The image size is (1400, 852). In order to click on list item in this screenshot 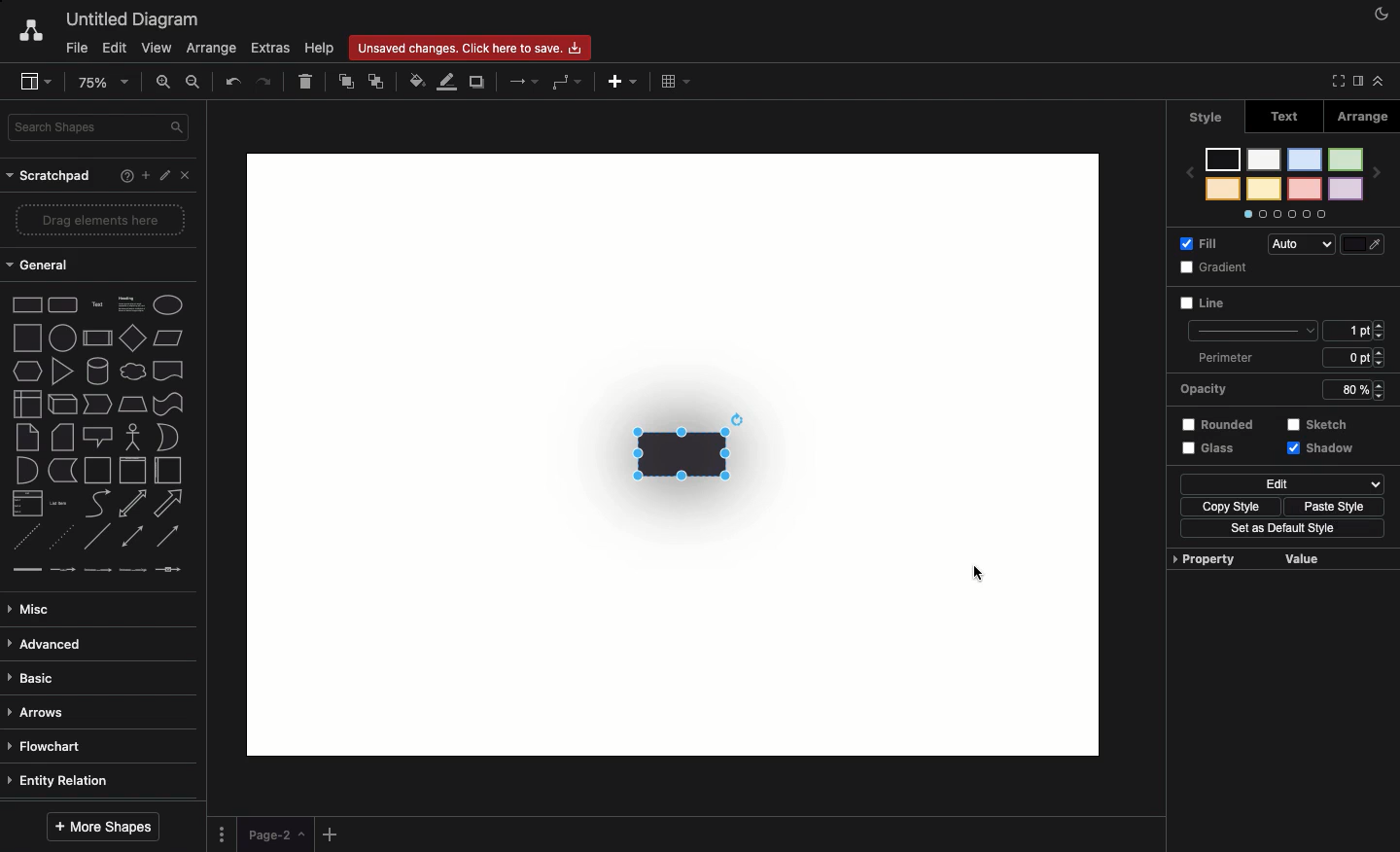, I will do `click(60, 502)`.